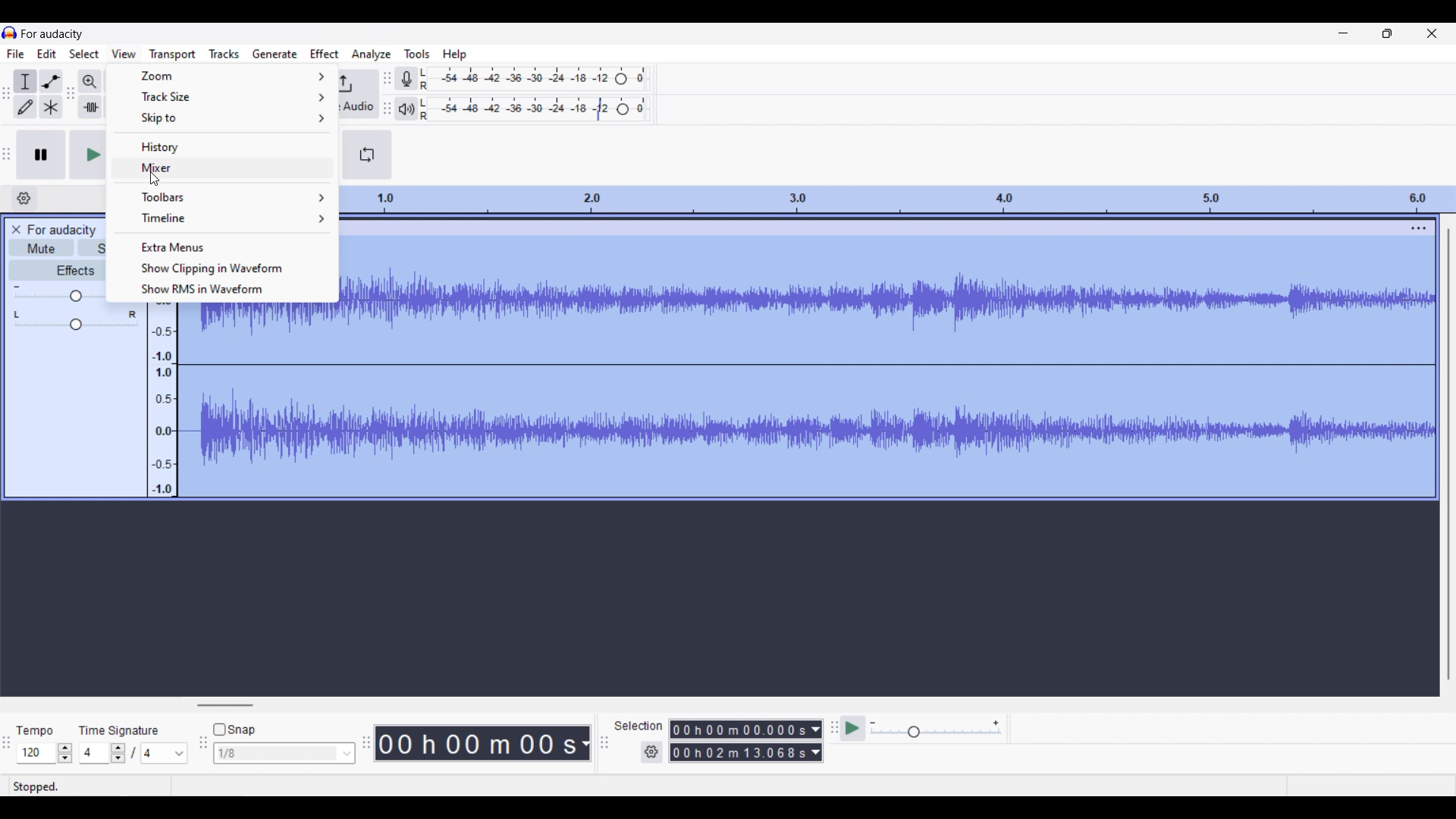  I want to click on Skip to options, so click(223, 118).